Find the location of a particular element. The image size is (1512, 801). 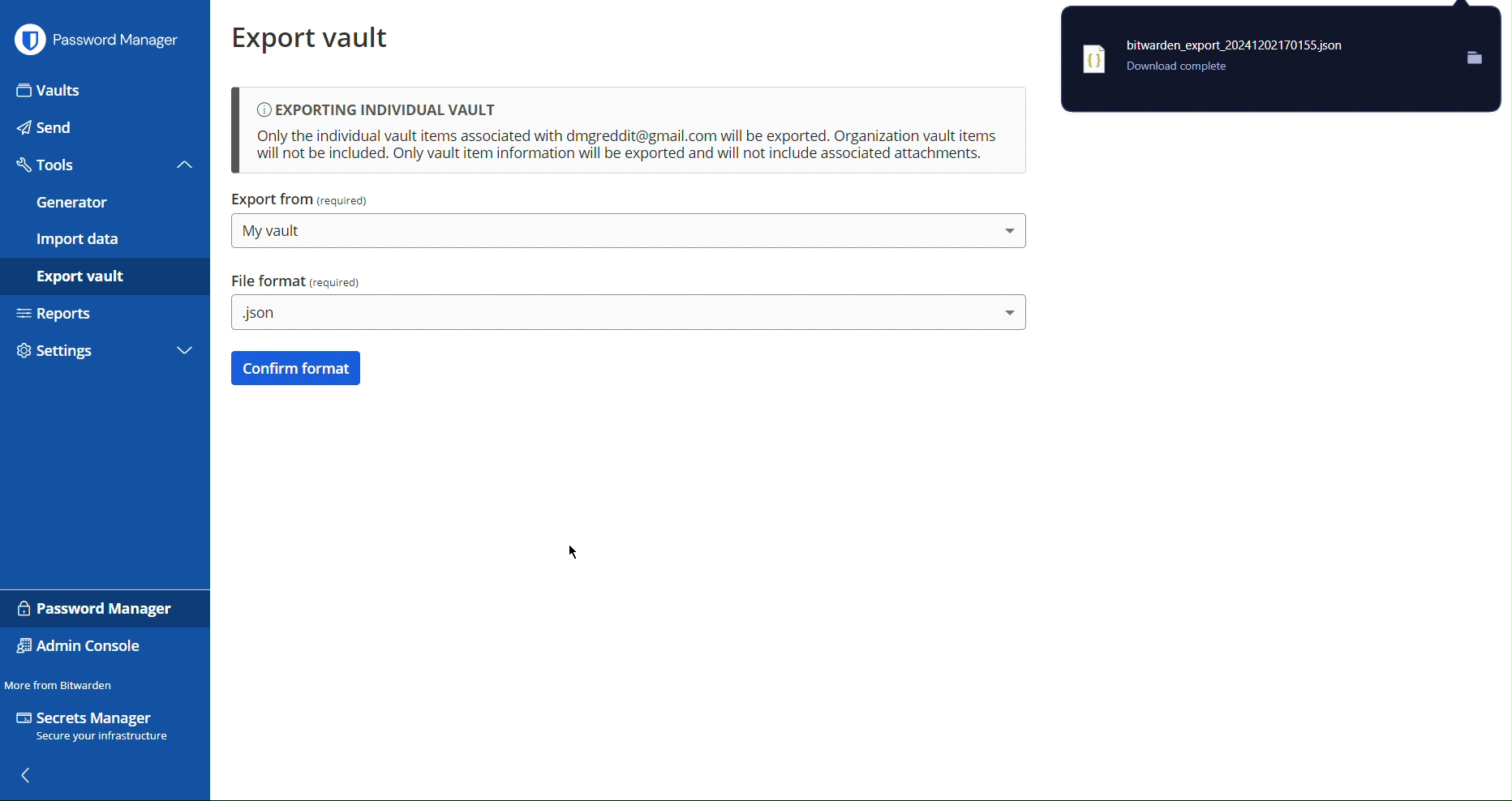

Send is located at coordinates (104, 129).